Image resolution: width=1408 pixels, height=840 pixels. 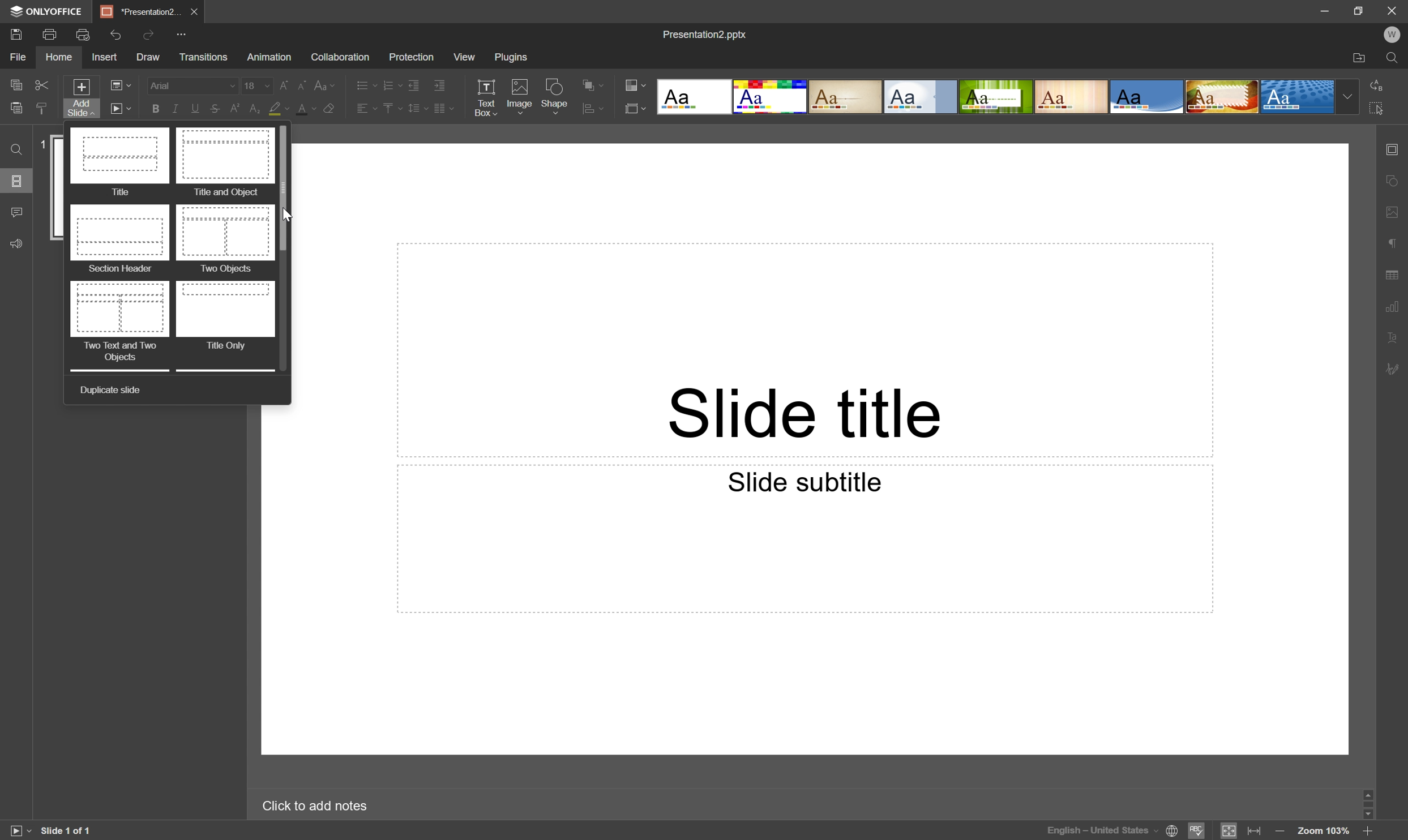 I want to click on Table settings, so click(x=1397, y=273).